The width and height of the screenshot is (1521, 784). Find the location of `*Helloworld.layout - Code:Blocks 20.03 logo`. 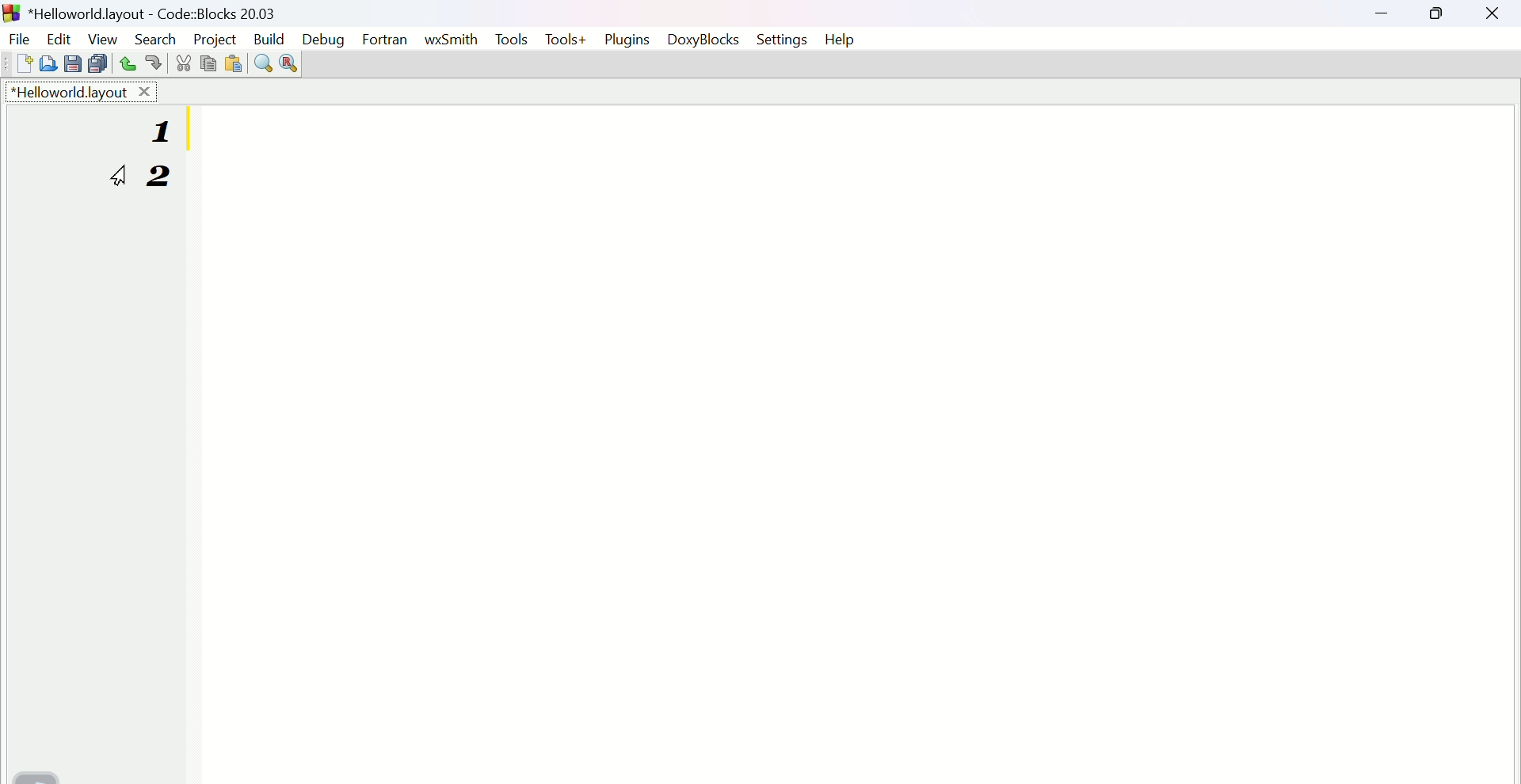

*Helloworld.layout - Code:Blocks 20.03 logo is located at coordinates (139, 12).